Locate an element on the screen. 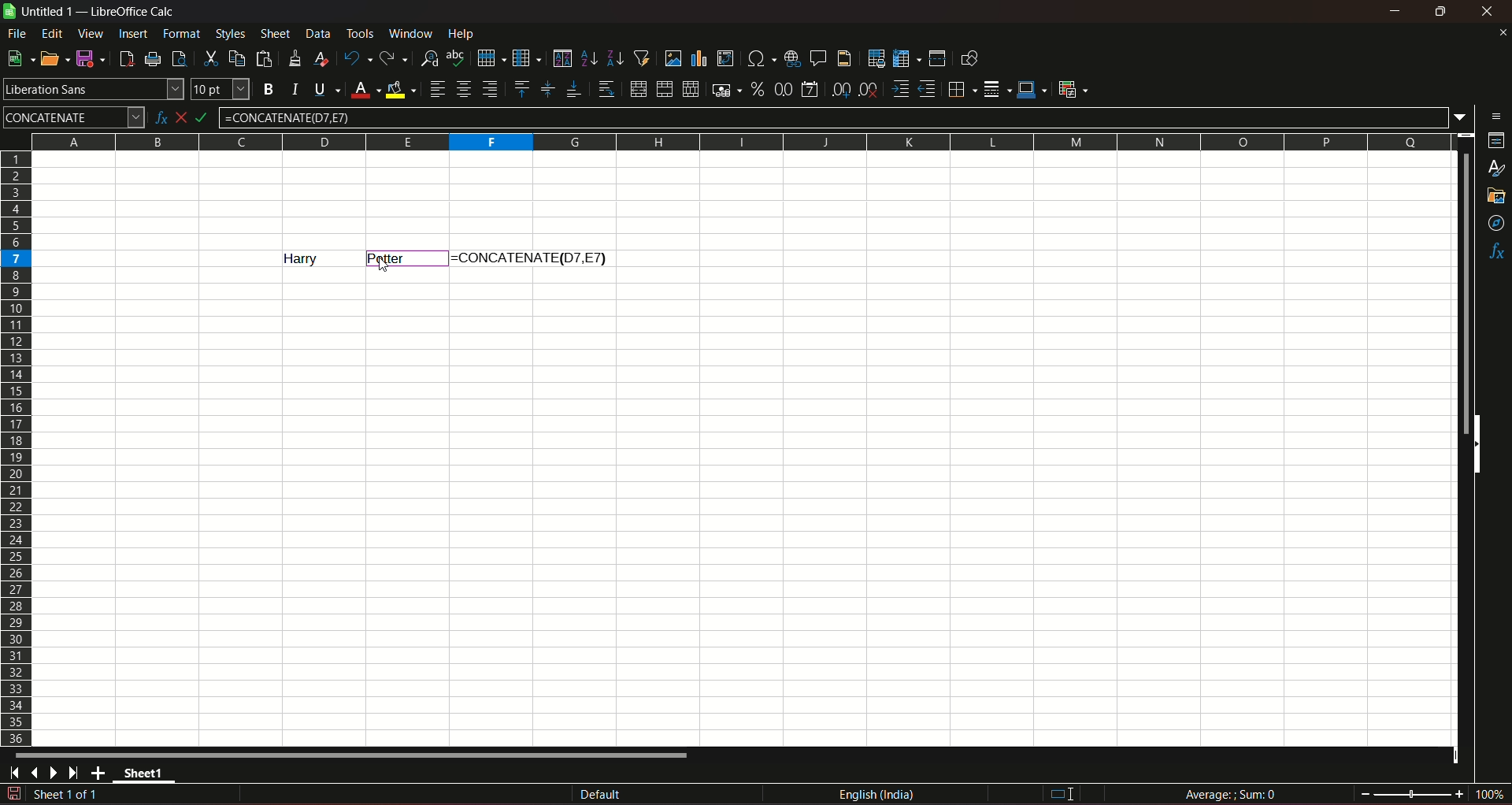 The height and width of the screenshot is (805, 1512). window is located at coordinates (413, 34).